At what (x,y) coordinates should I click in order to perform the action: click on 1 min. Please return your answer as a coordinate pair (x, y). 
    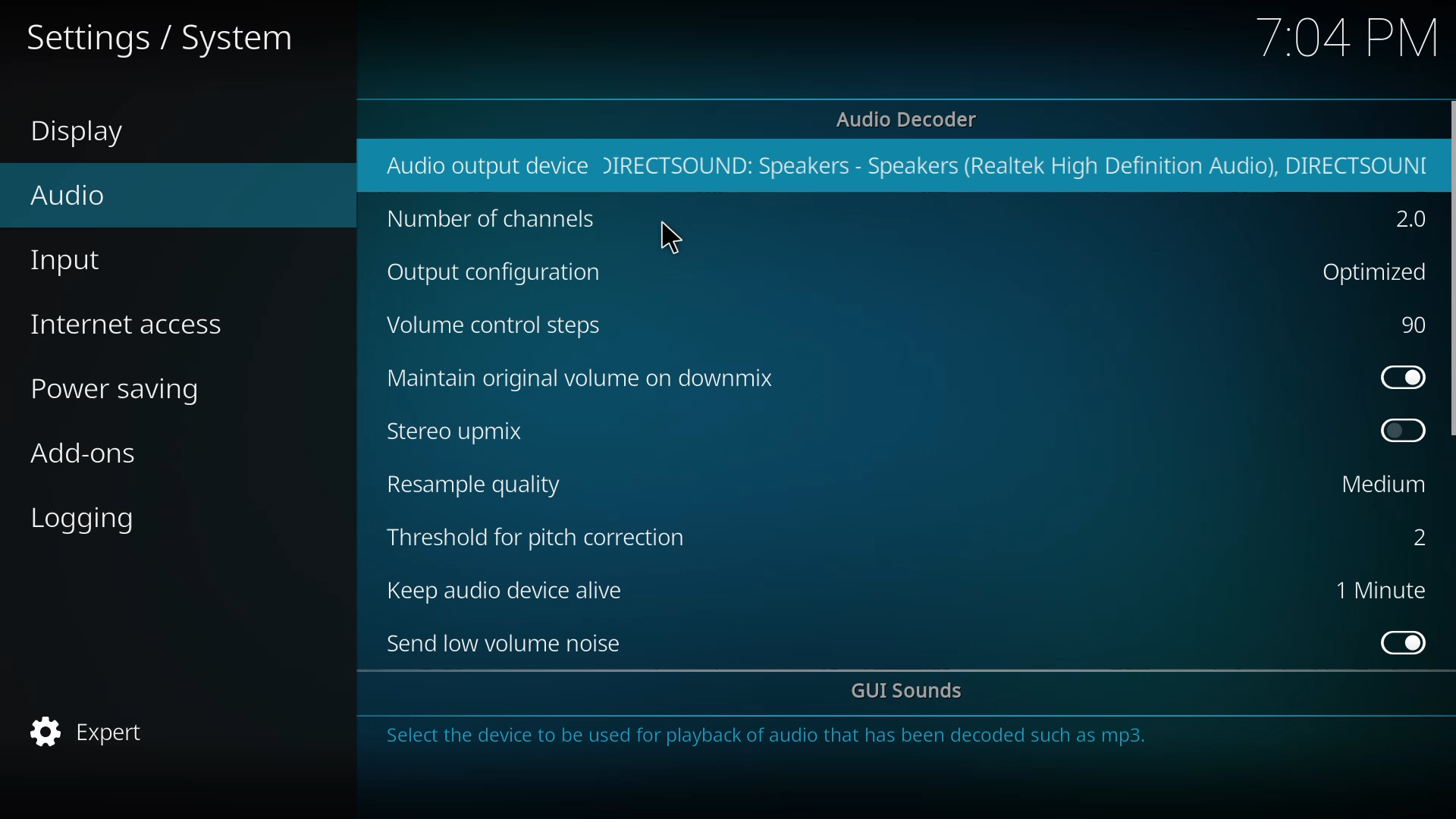
    Looking at the image, I should click on (1380, 589).